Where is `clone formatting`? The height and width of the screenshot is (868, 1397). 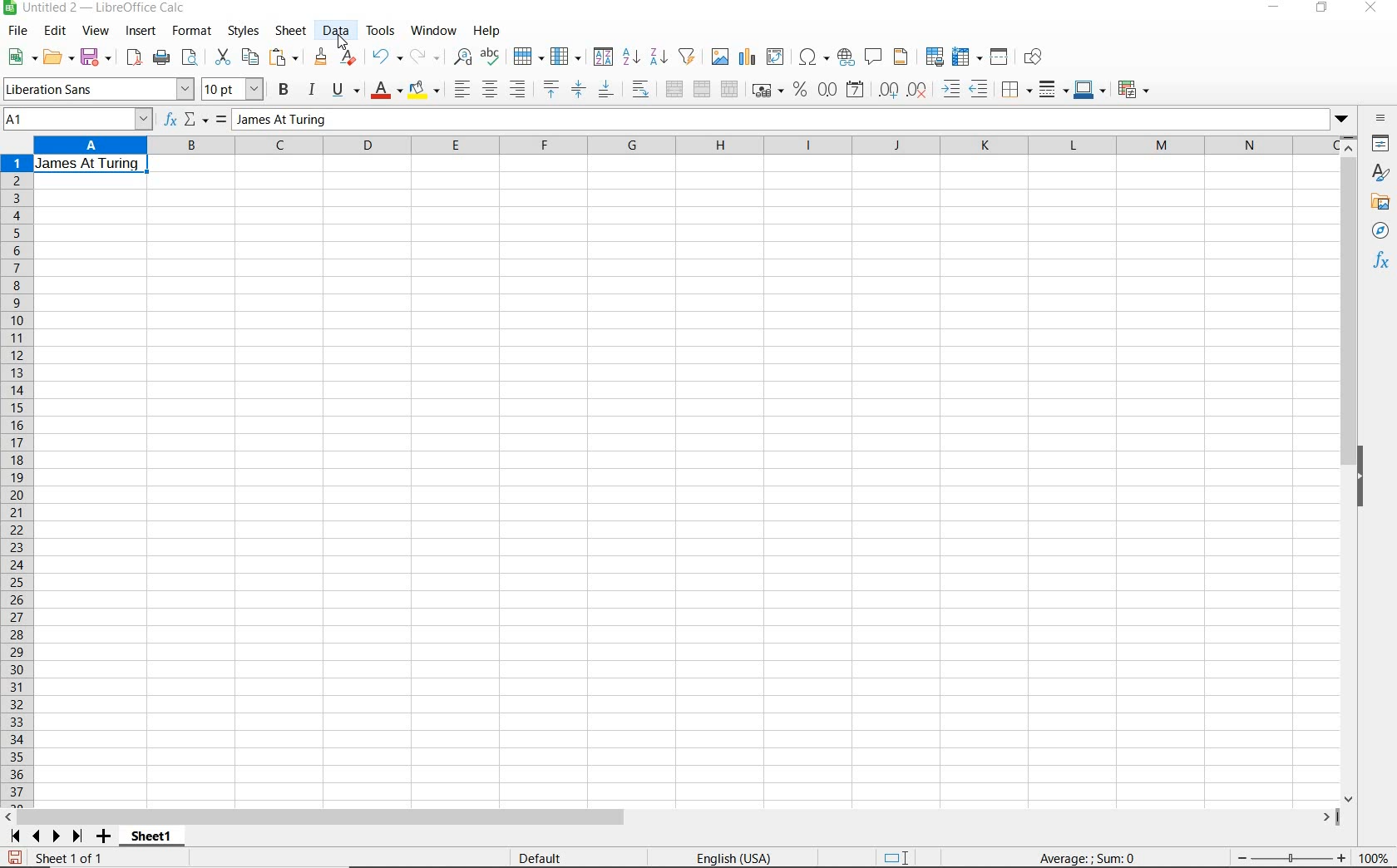 clone formatting is located at coordinates (320, 57).